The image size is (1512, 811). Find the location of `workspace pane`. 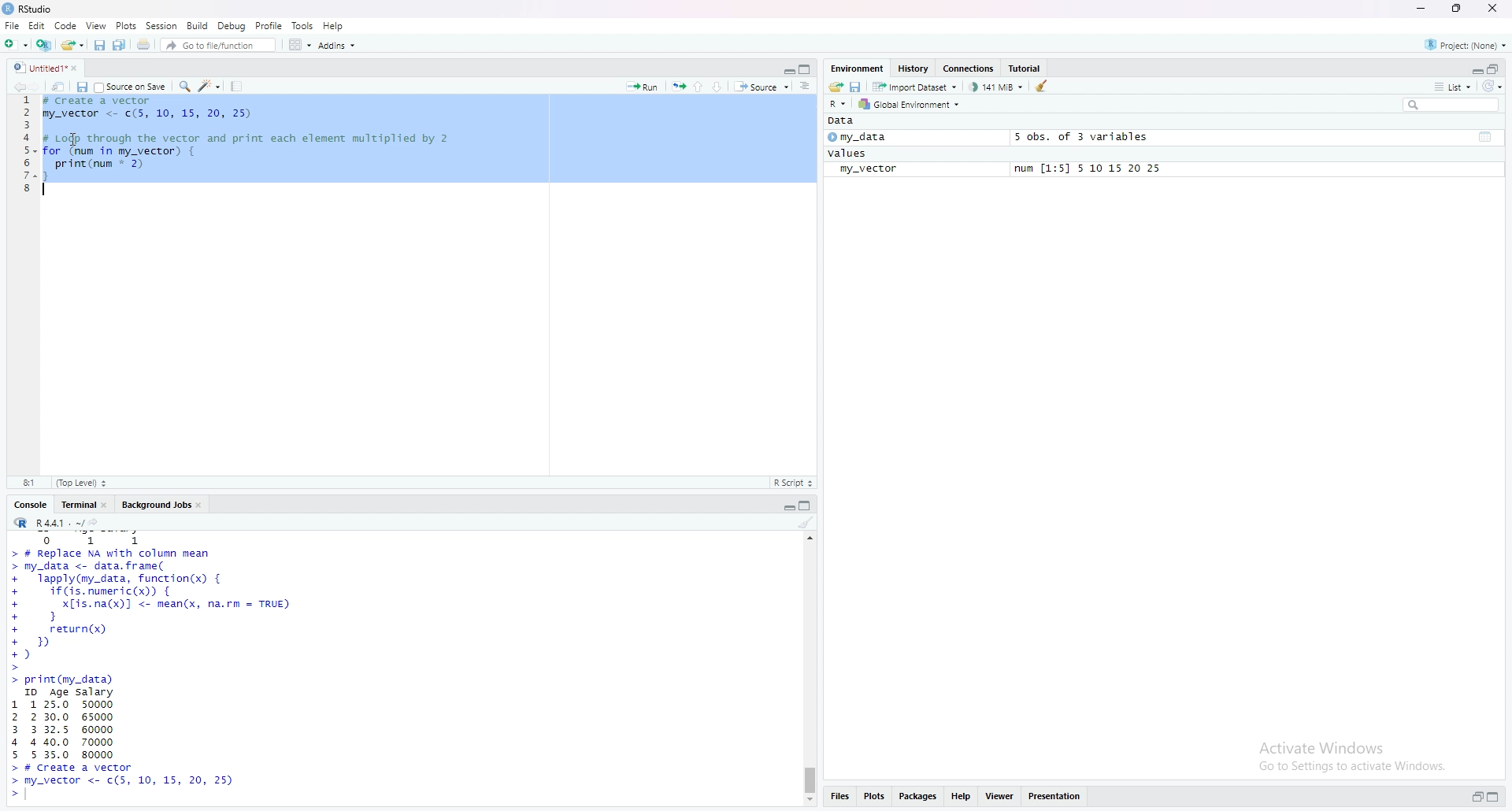

workspace pane is located at coordinates (296, 45).